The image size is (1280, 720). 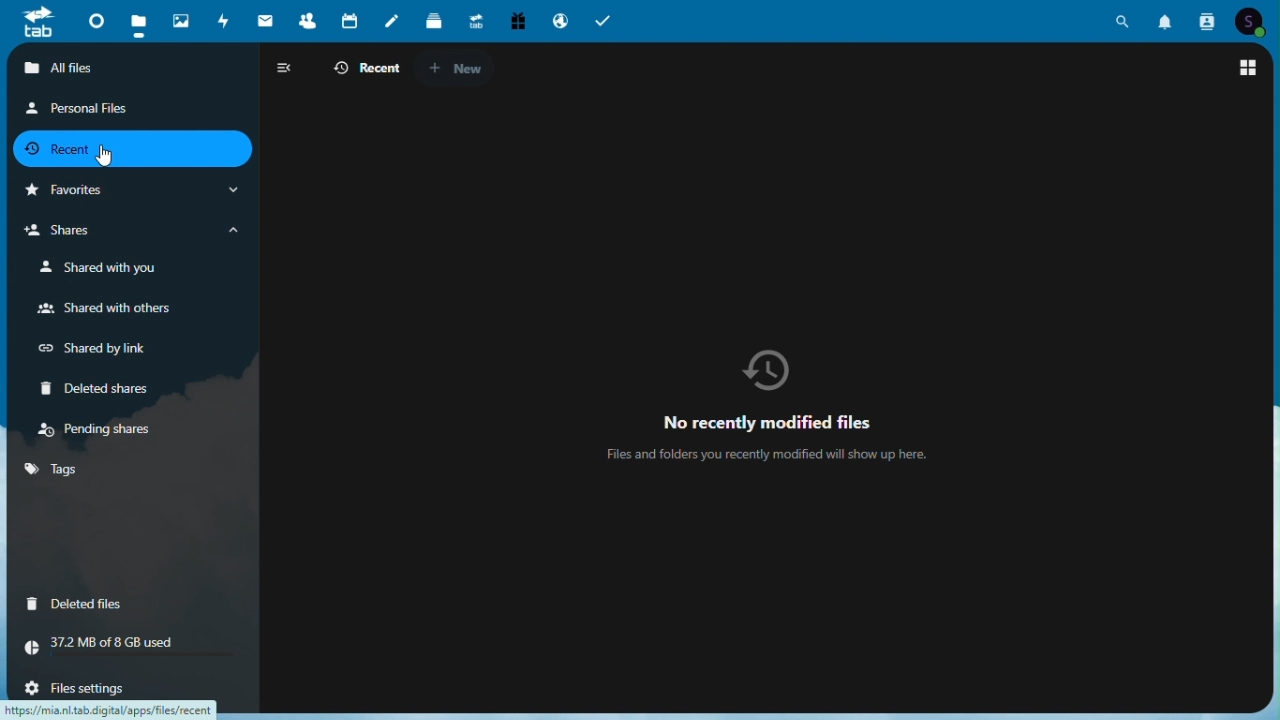 What do you see at coordinates (118, 709) in the screenshot?
I see `URL` at bounding box center [118, 709].